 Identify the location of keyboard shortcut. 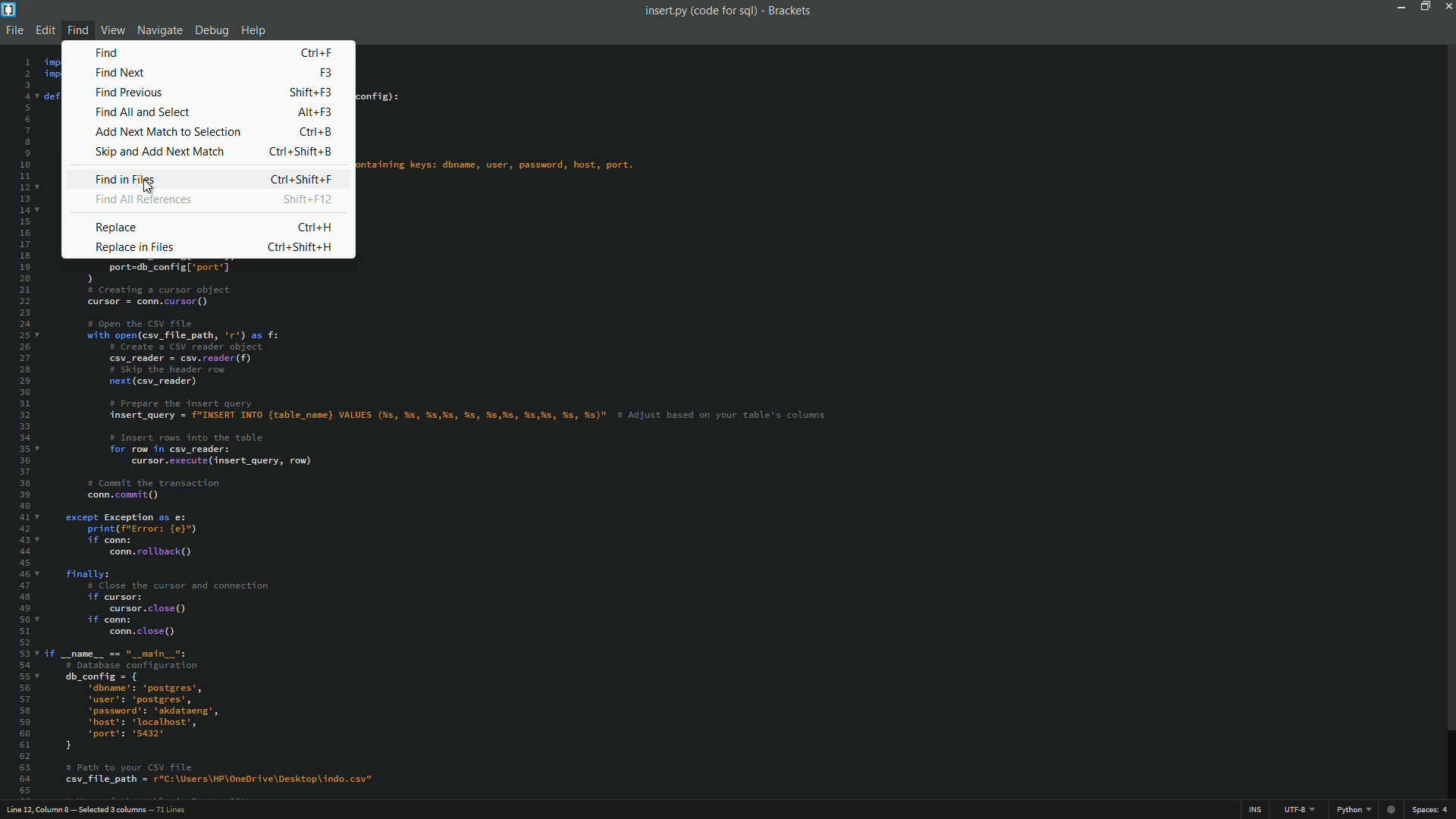
(315, 227).